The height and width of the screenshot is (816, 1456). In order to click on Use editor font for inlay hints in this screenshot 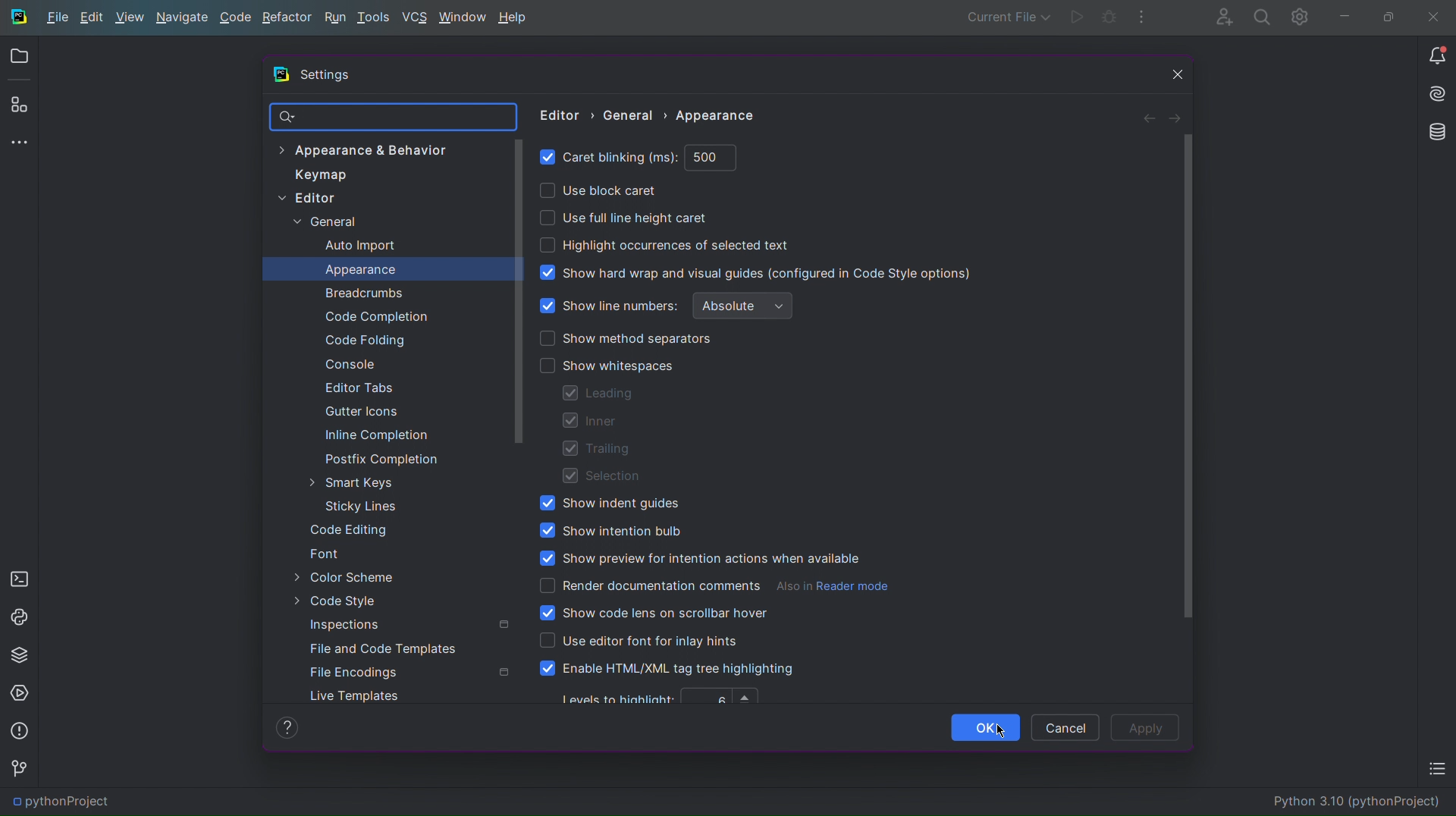, I will do `click(639, 642)`.